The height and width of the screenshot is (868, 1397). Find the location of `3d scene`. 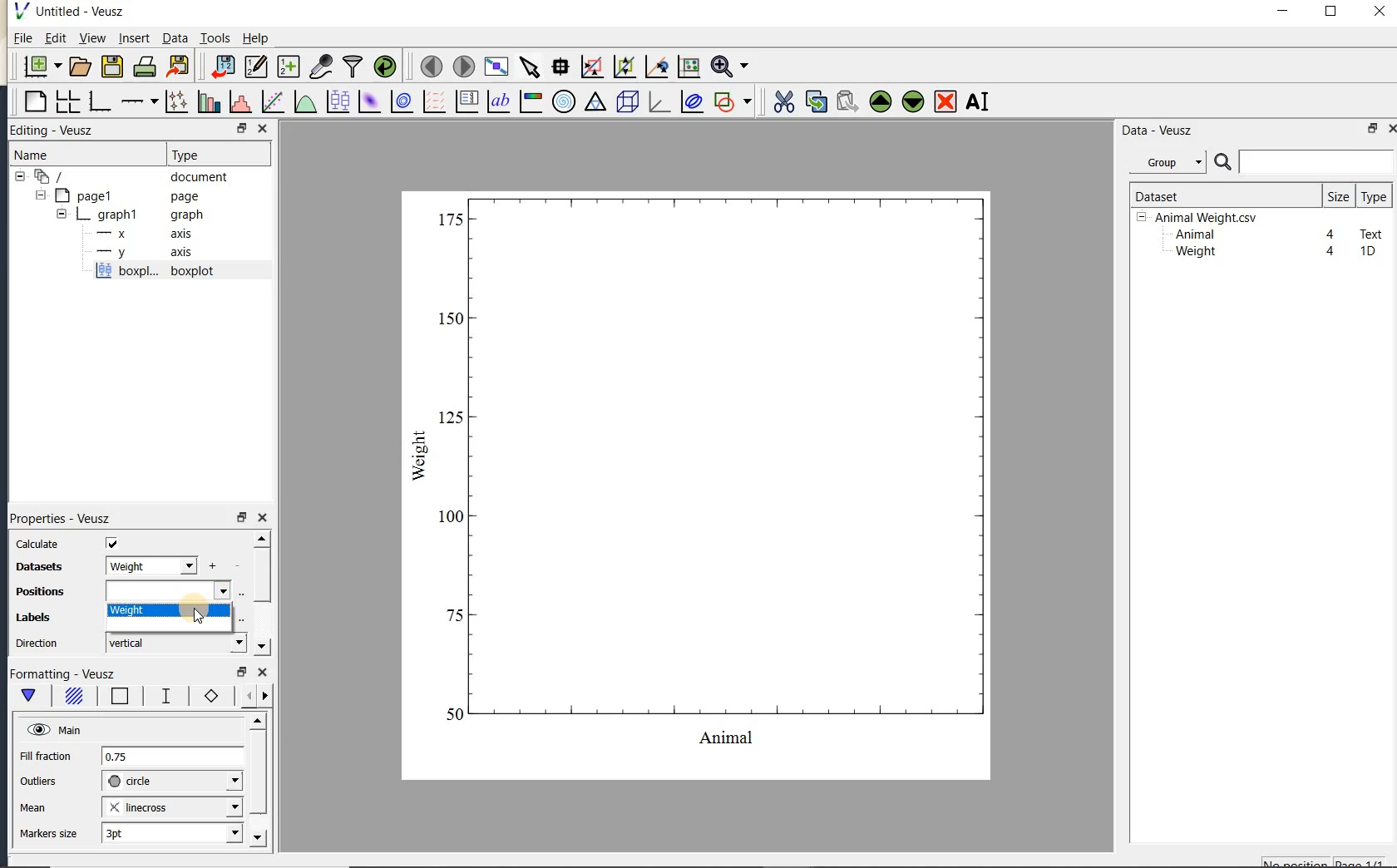

3d scene is located at coordinates (625, 102).